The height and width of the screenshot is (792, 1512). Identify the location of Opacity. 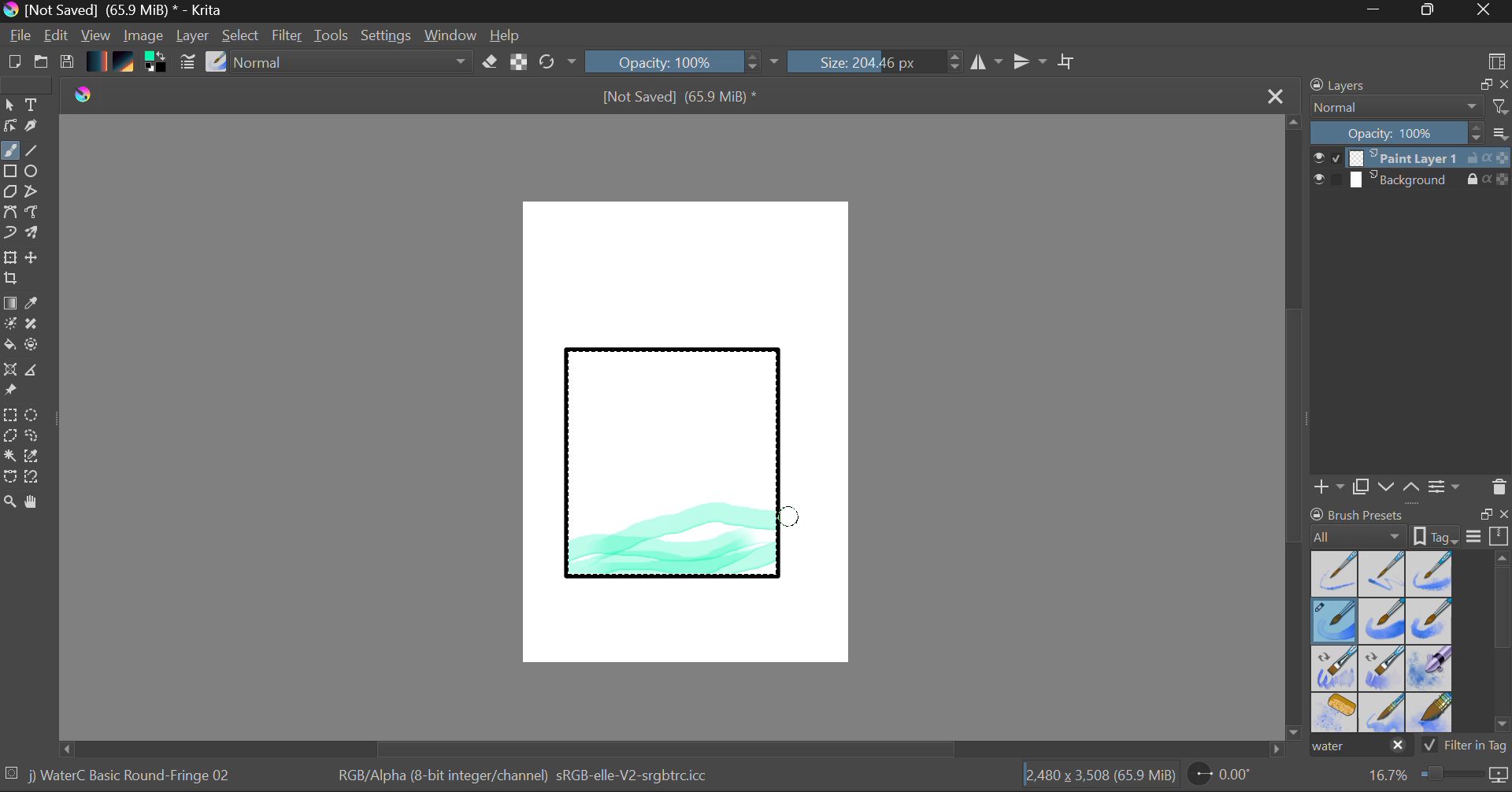
(684, 61).